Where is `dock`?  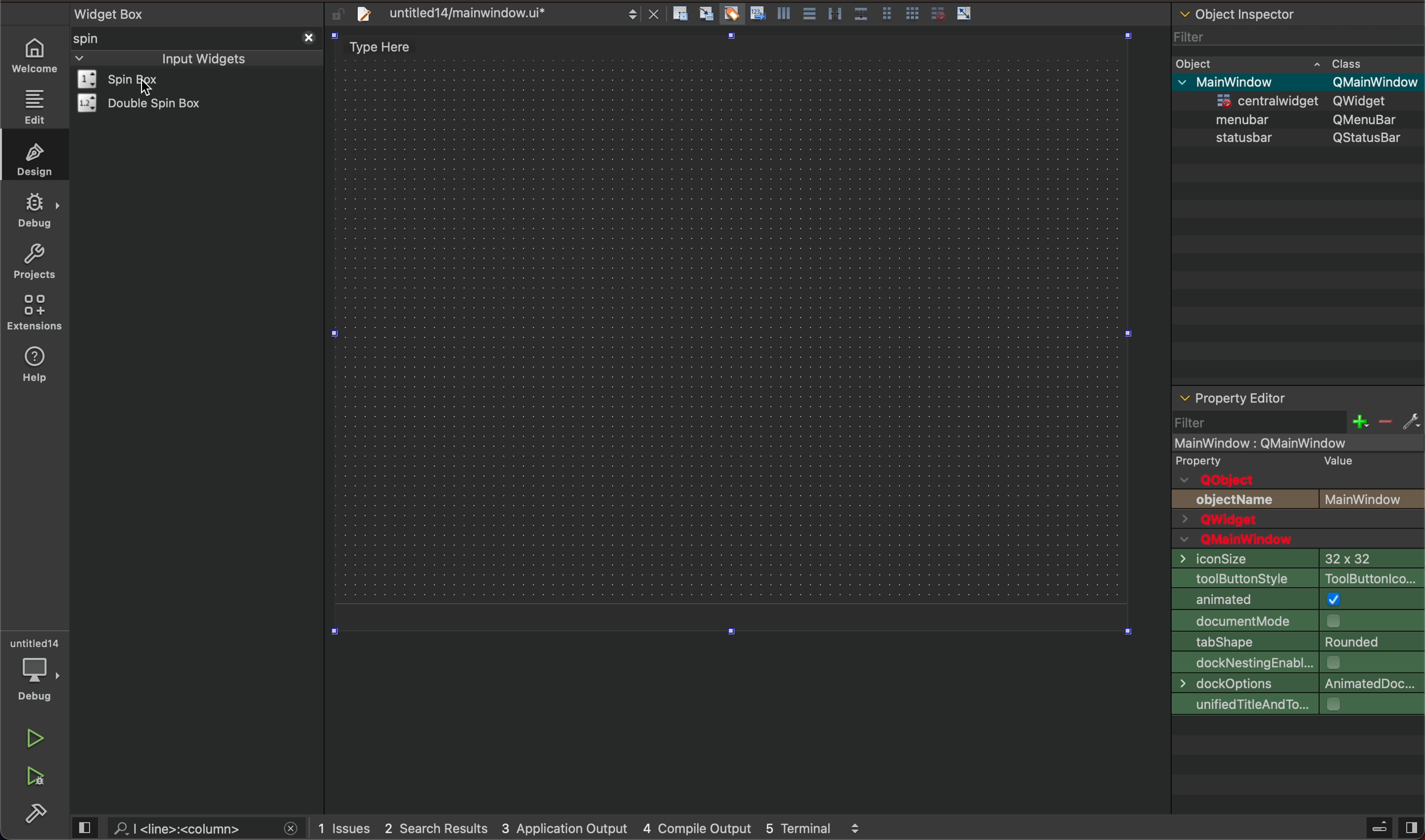
dock is located at coordinates (1296, 663).